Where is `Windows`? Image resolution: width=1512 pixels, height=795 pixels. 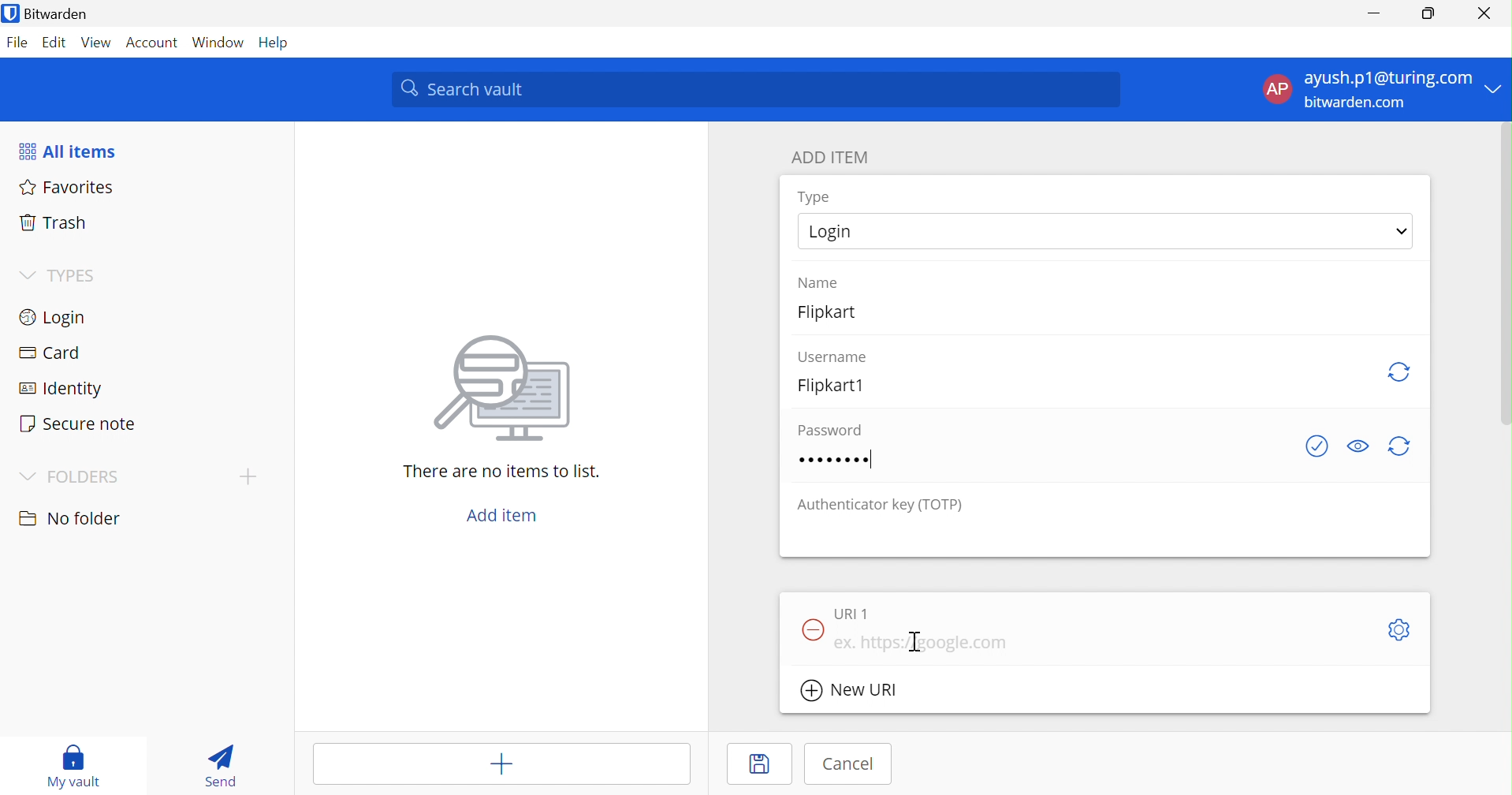
Windows is located at coordinates (220, 43).